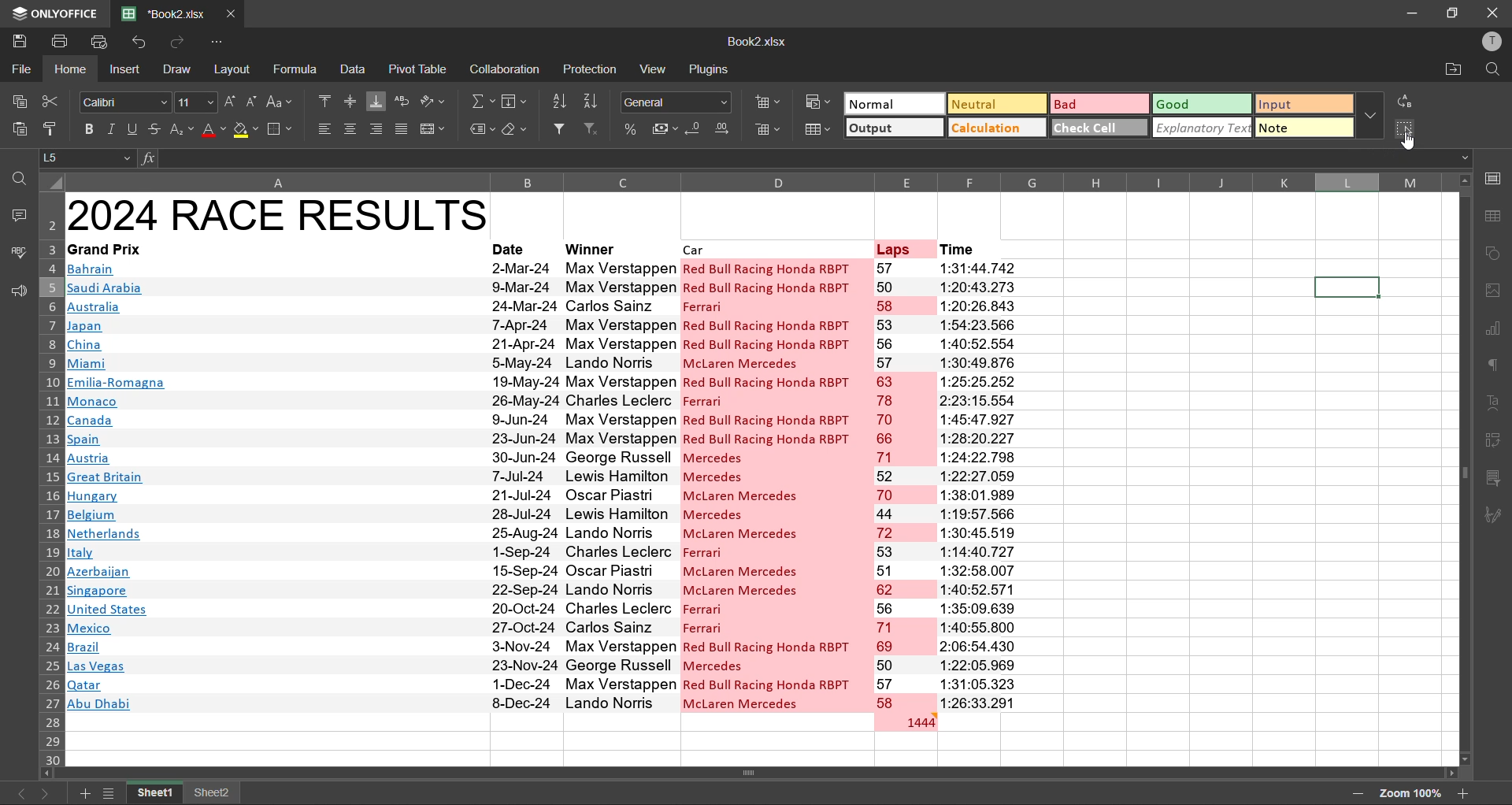 The image size is (1512, 805). Describe the element at coordinates (1495, 256) in the screenshot. I see `shapes` at that location.